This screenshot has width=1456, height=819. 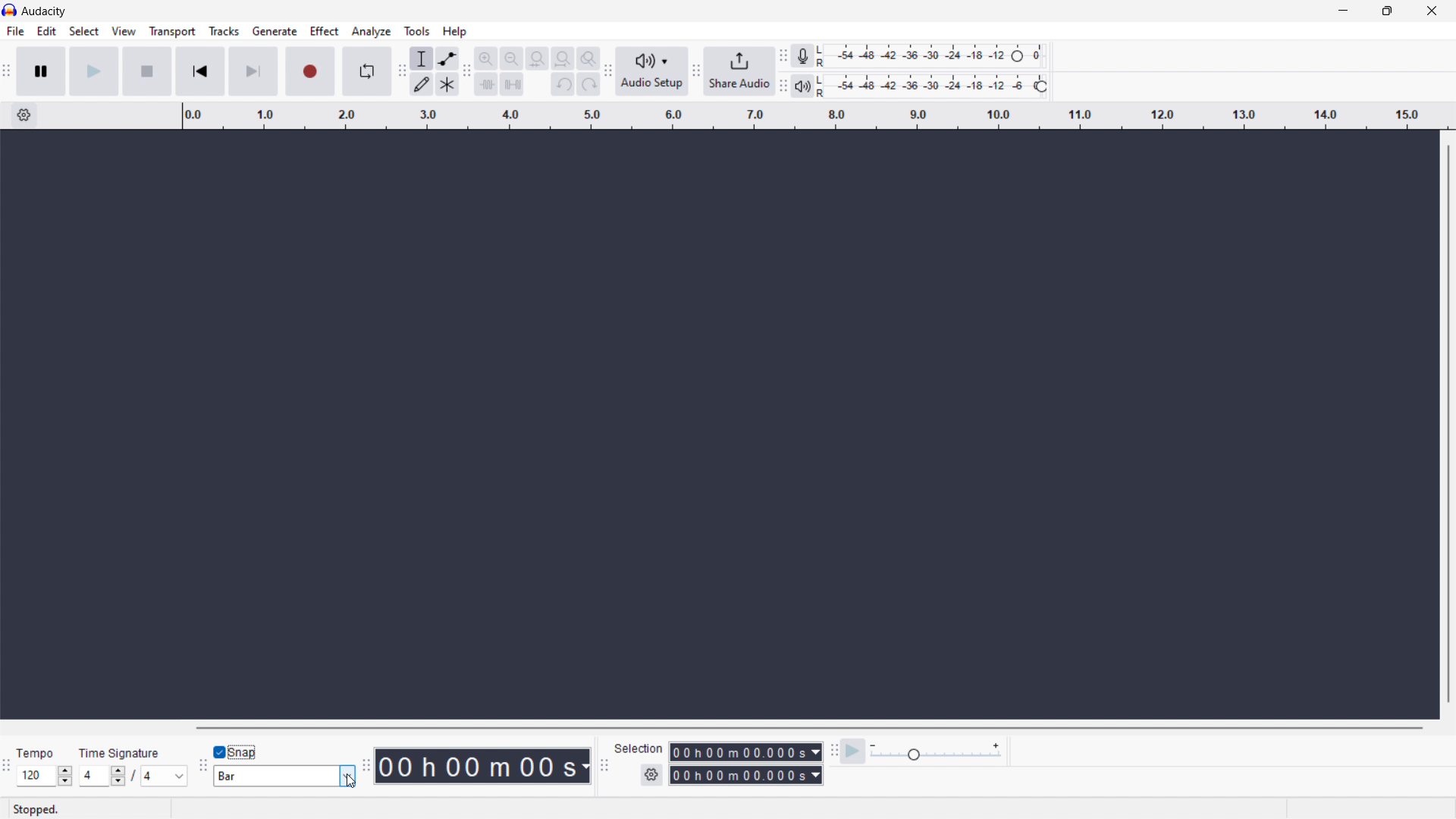 I want to click on Stopped, so click(x=36, y=809).